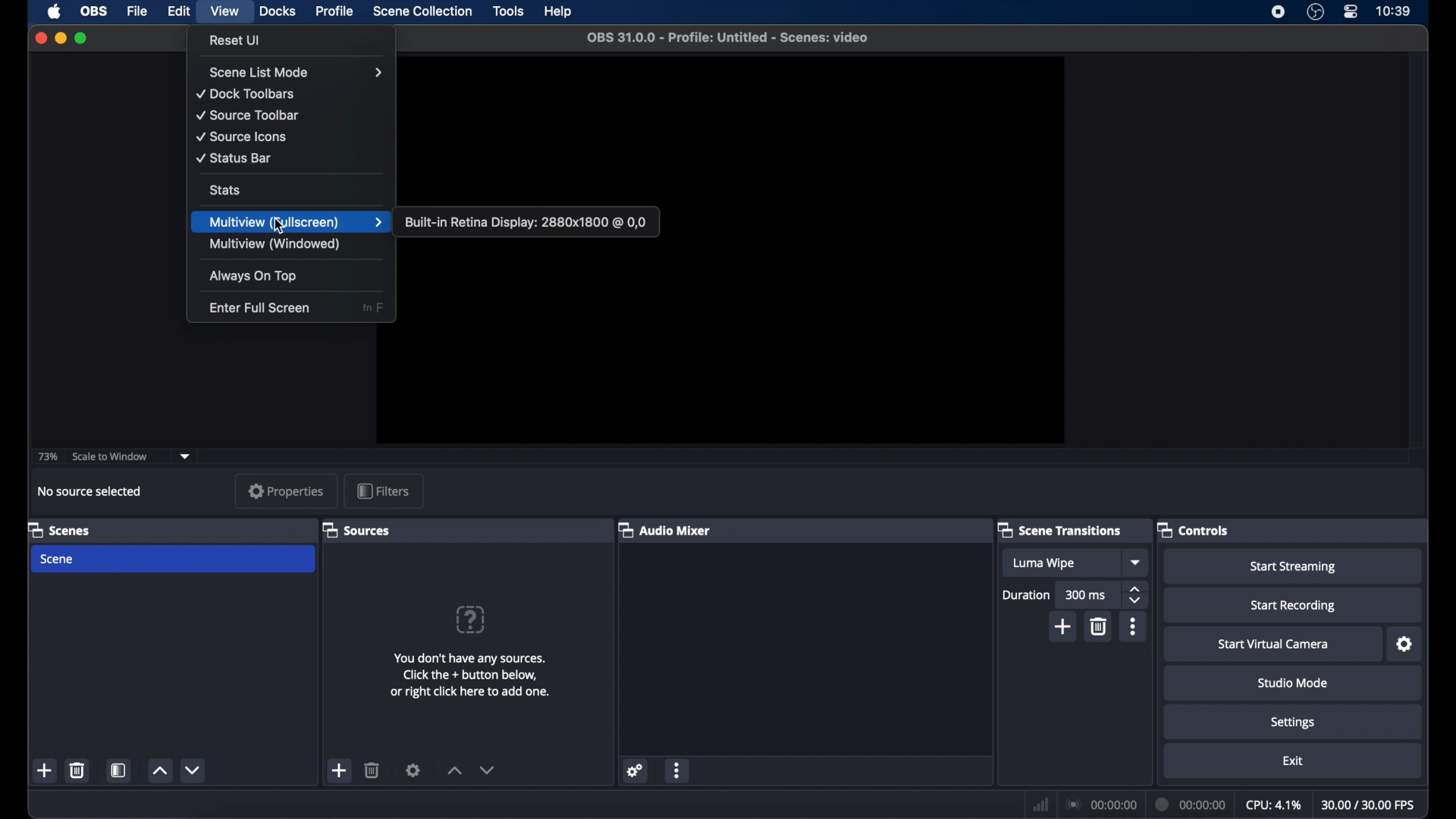 The width and height of the screenshot is (1456, 819). What do you see at coordinates (1368, 805) in the screenshot?
I see `30.00/30.00 fps` at bounding box center [1368, 805].